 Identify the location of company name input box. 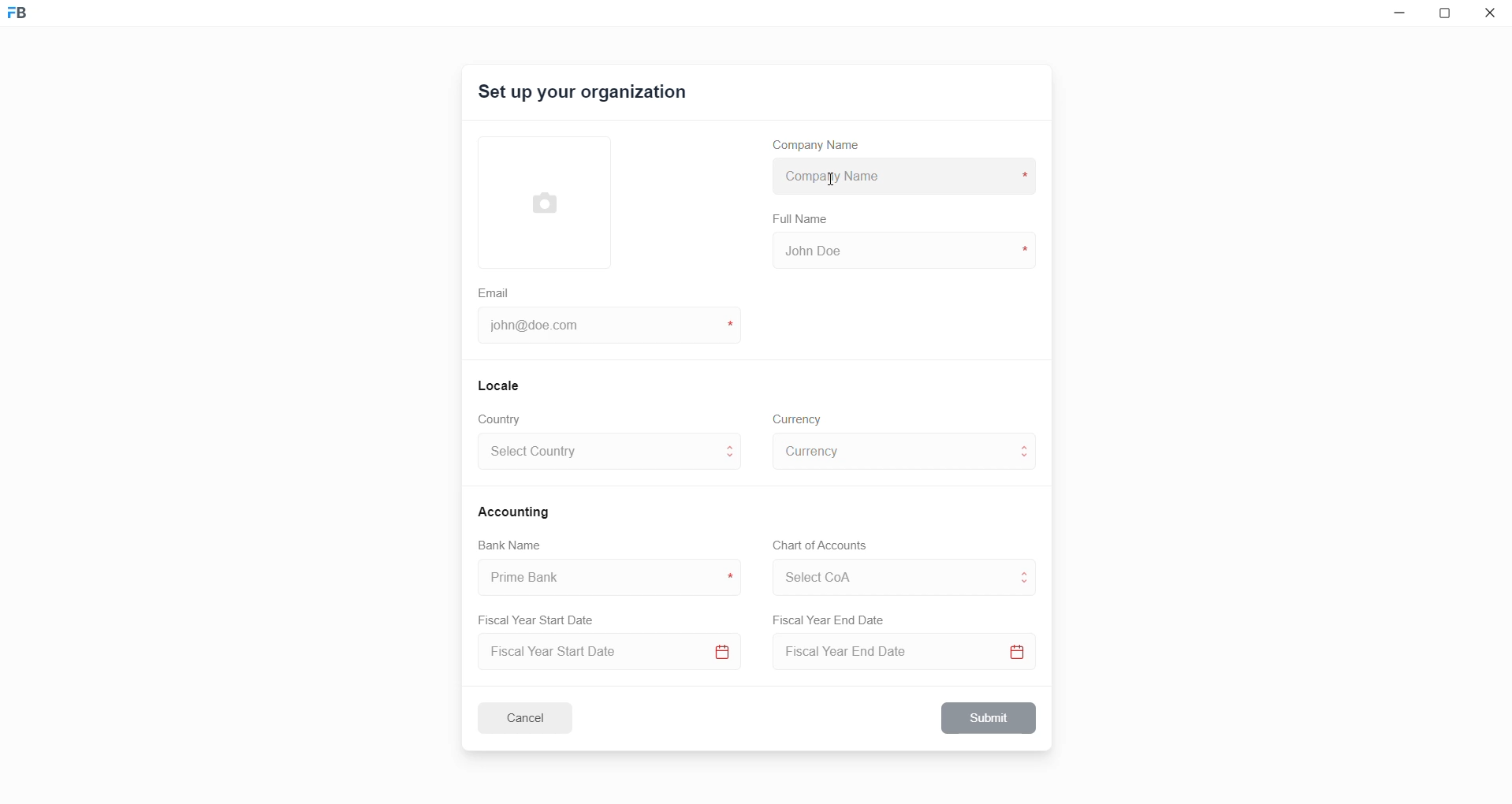
(900, 174).